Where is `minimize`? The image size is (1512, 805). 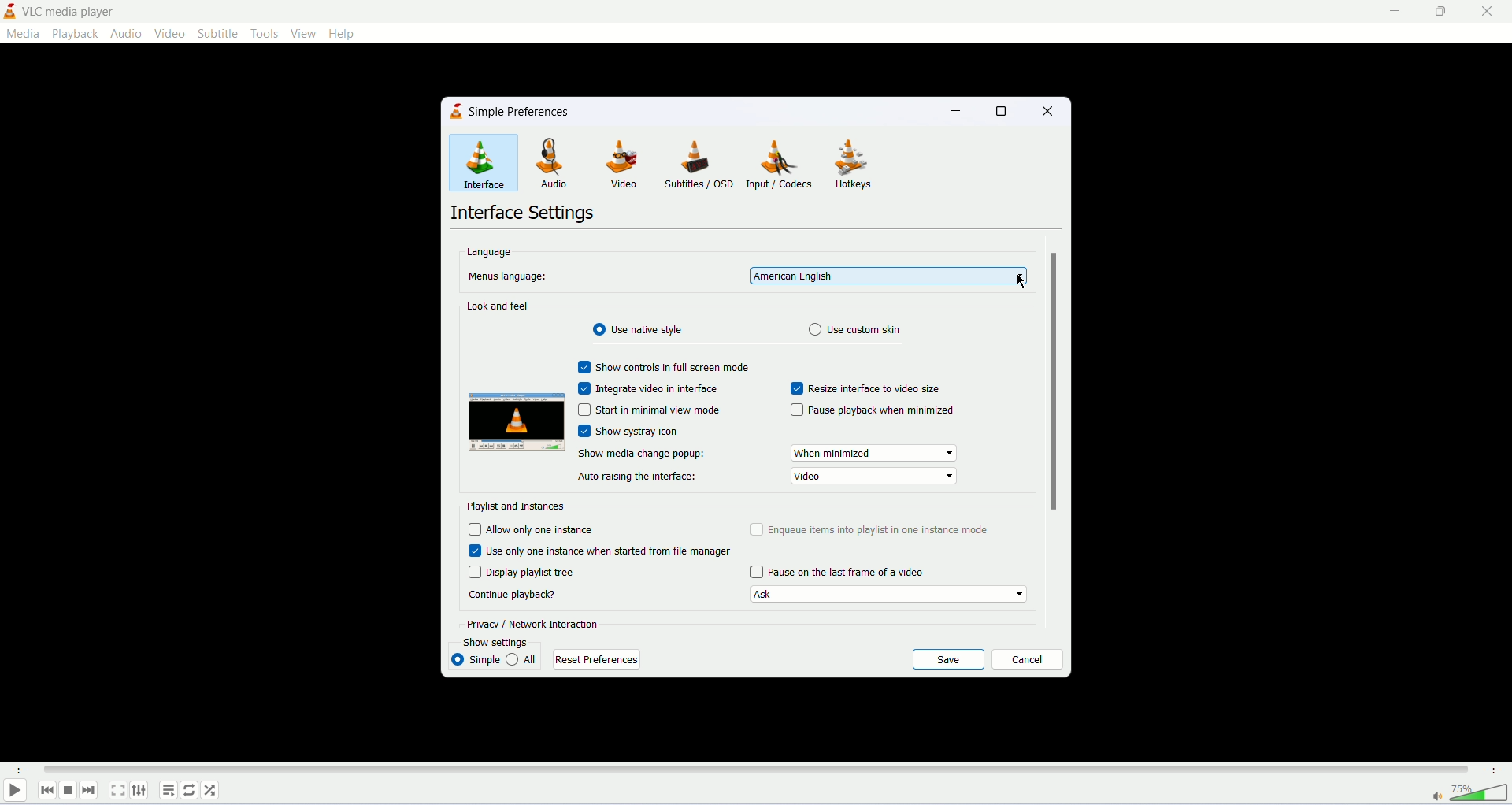
minimize is located at coordinates (952, 112).